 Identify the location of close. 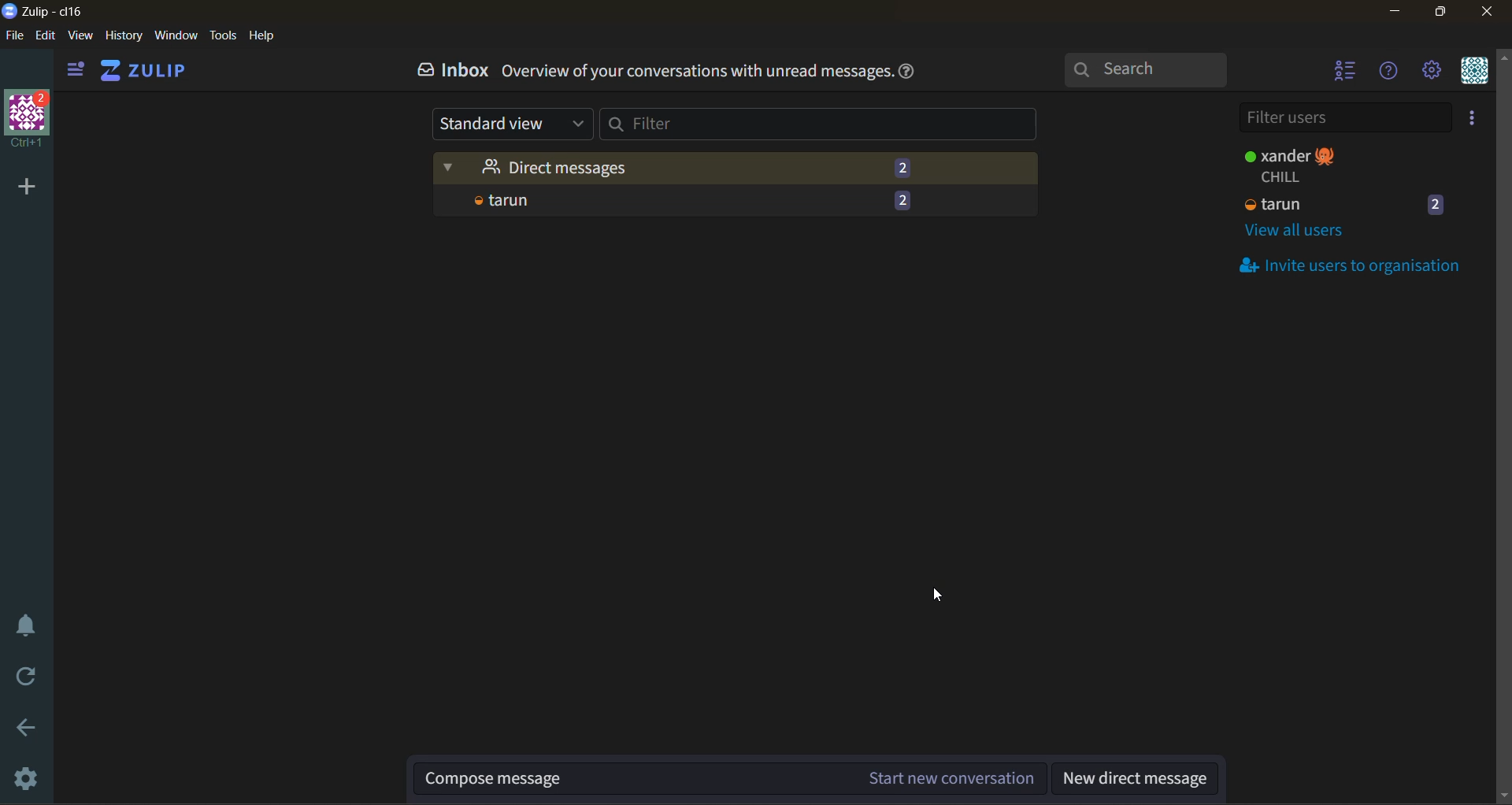
(1489, 14).